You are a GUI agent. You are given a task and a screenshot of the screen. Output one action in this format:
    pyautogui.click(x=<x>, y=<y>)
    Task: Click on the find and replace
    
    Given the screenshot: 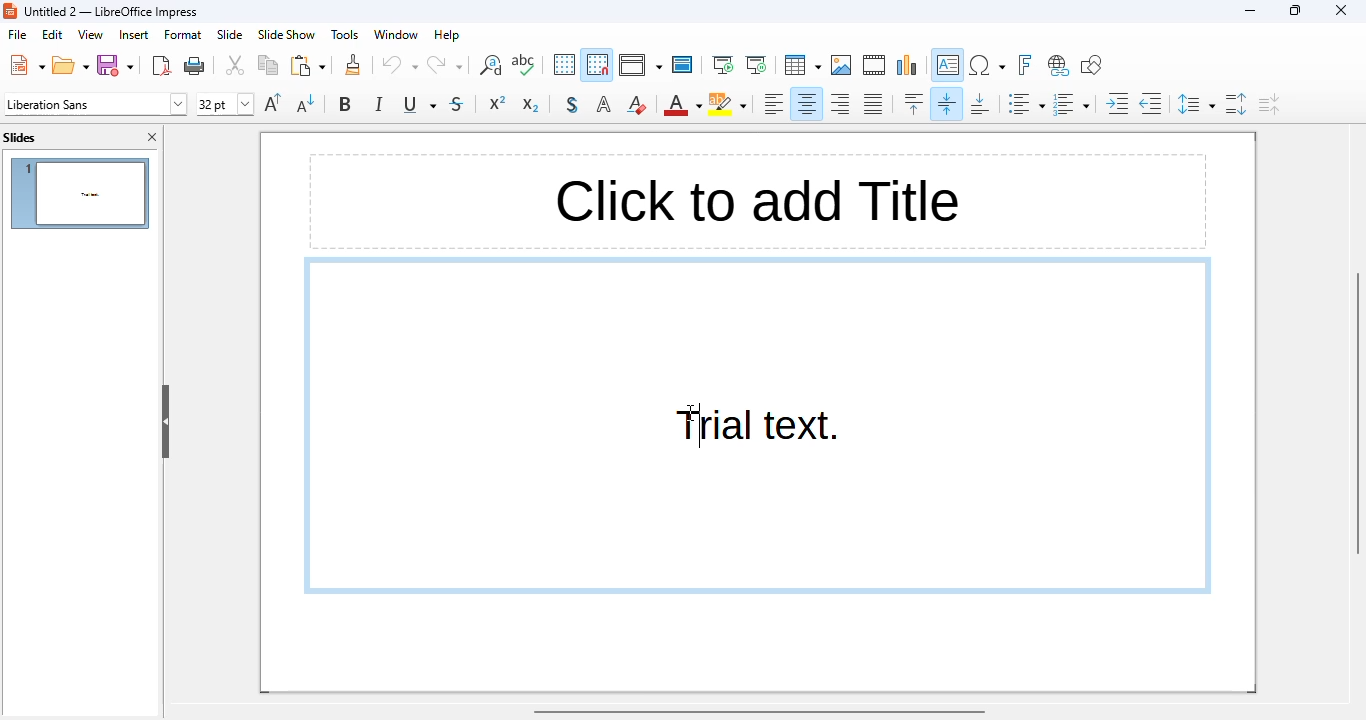 What is the action you would take?
    pyautogui.click(x=489, y=65)
    